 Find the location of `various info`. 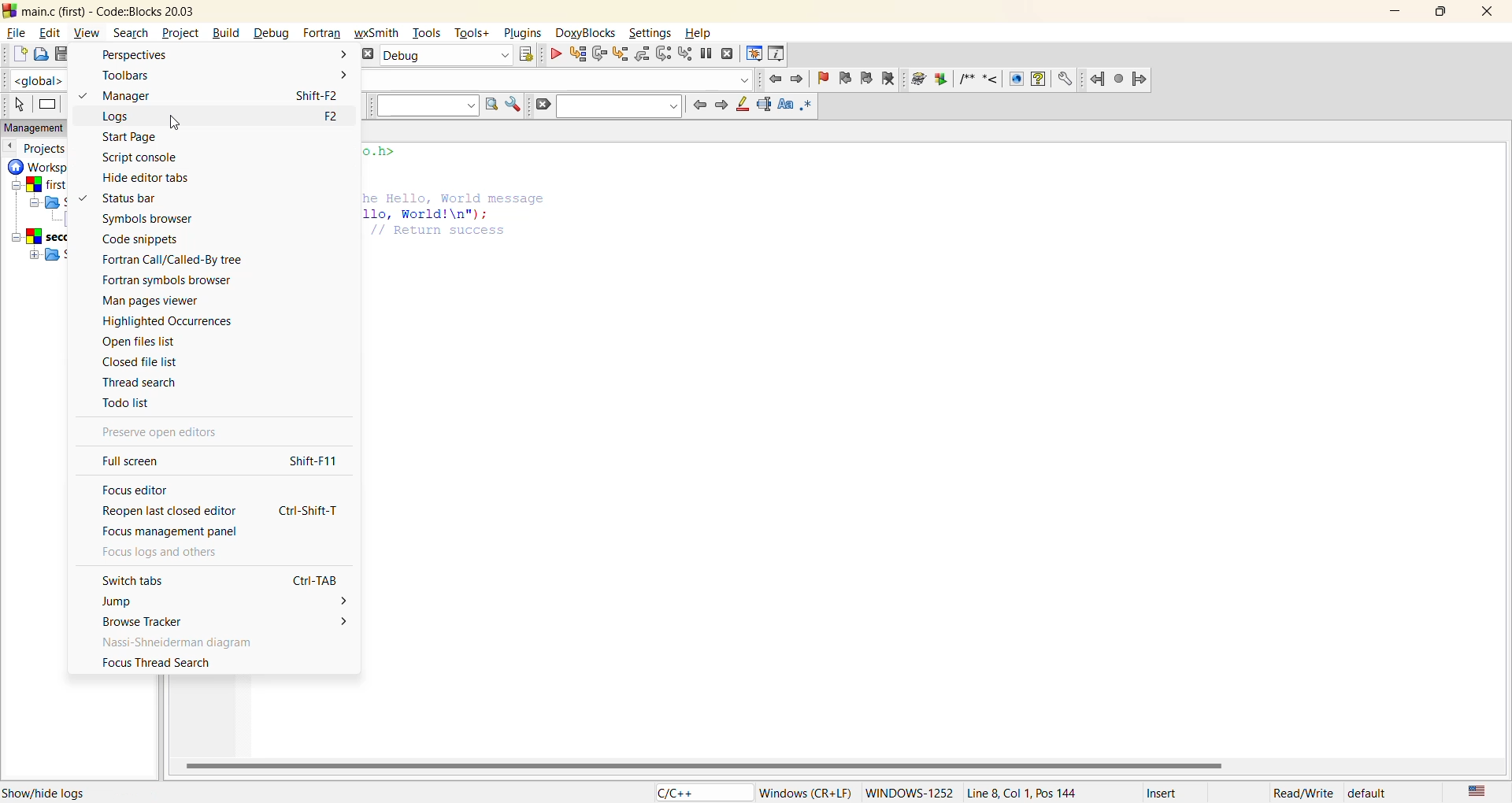

various info is located at coordinates (777, 54).